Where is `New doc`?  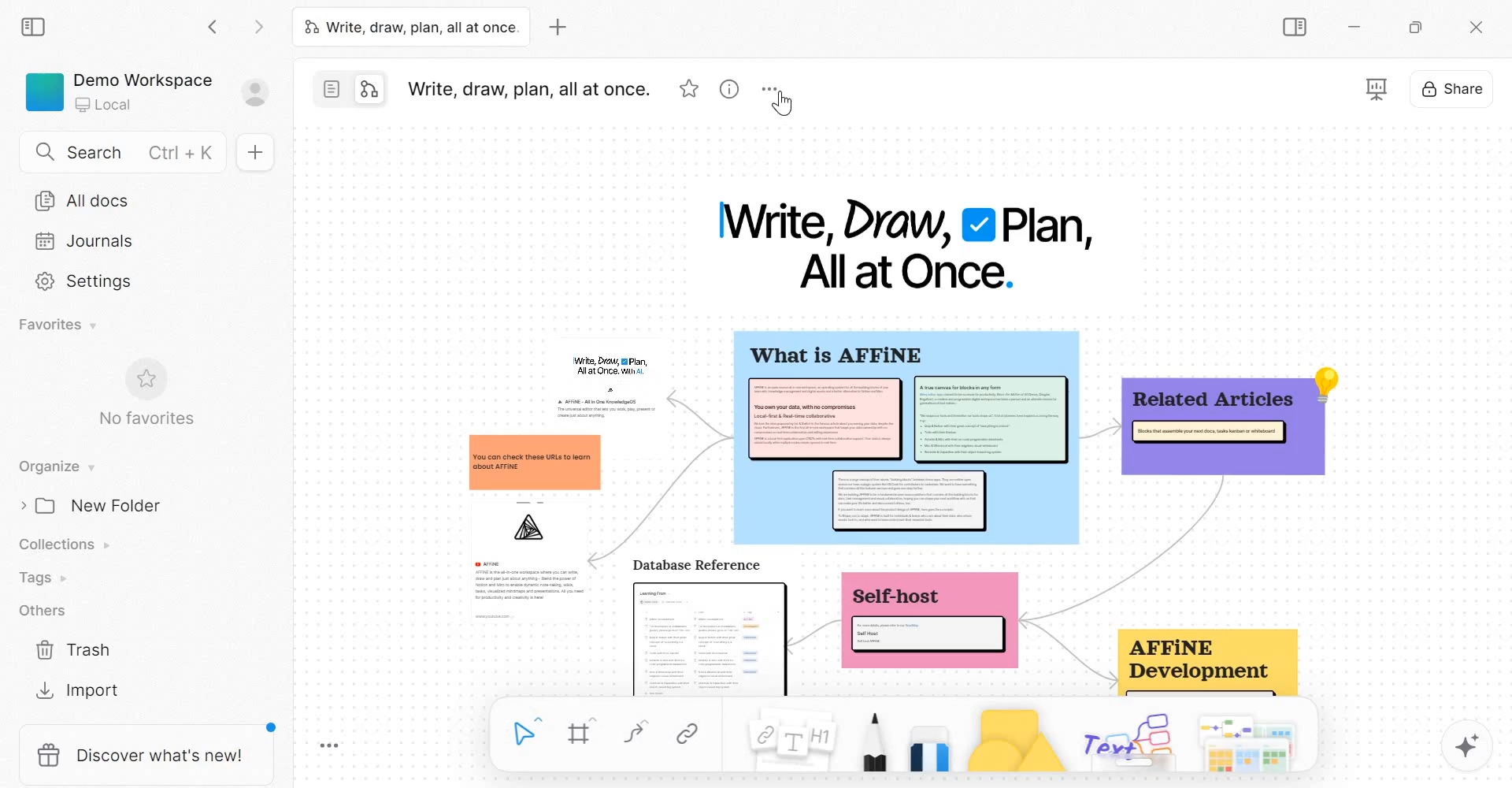 New doc is located at coordinates (254, 154).